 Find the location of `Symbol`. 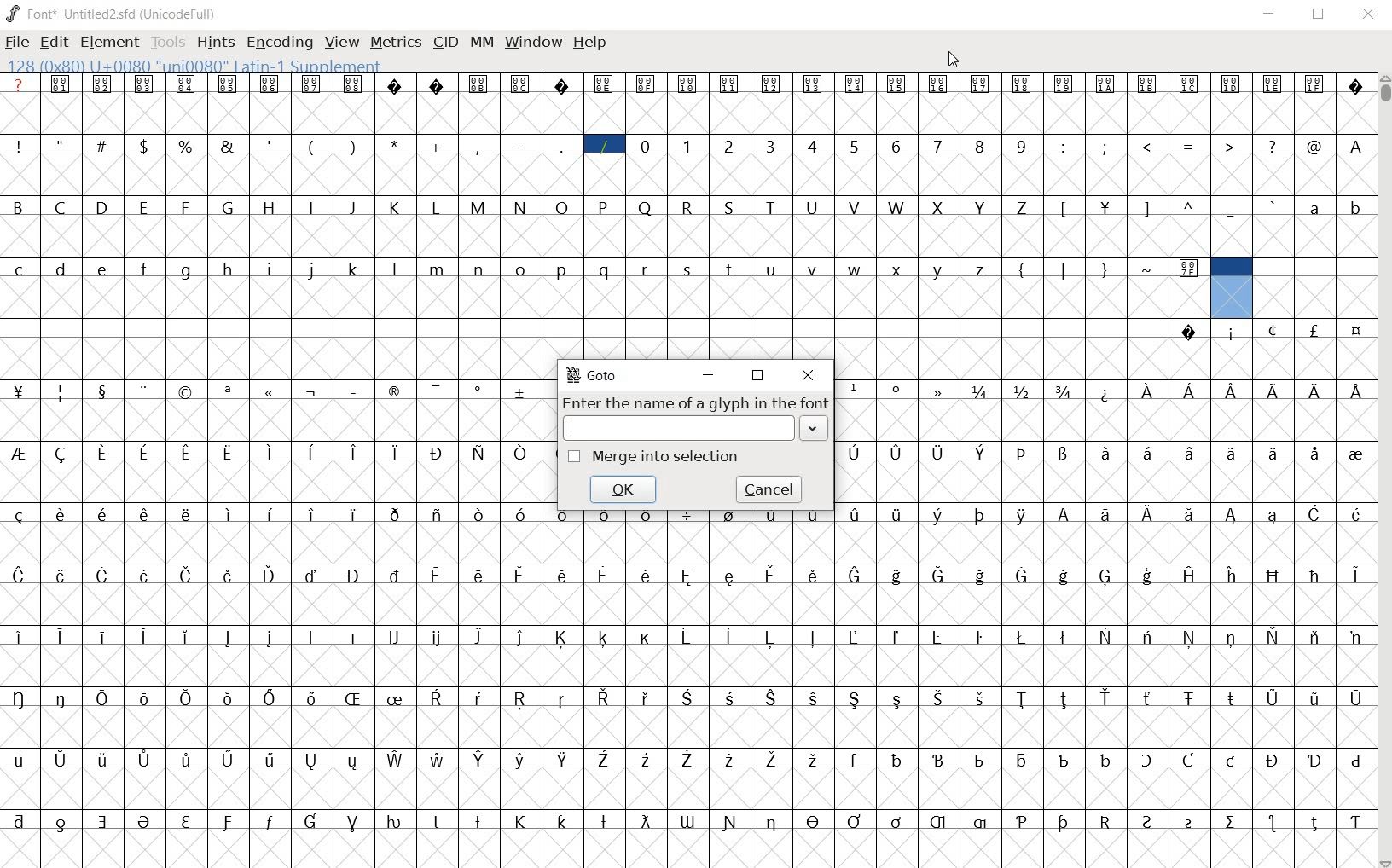

Symbol is located at coordinates (731, 758).